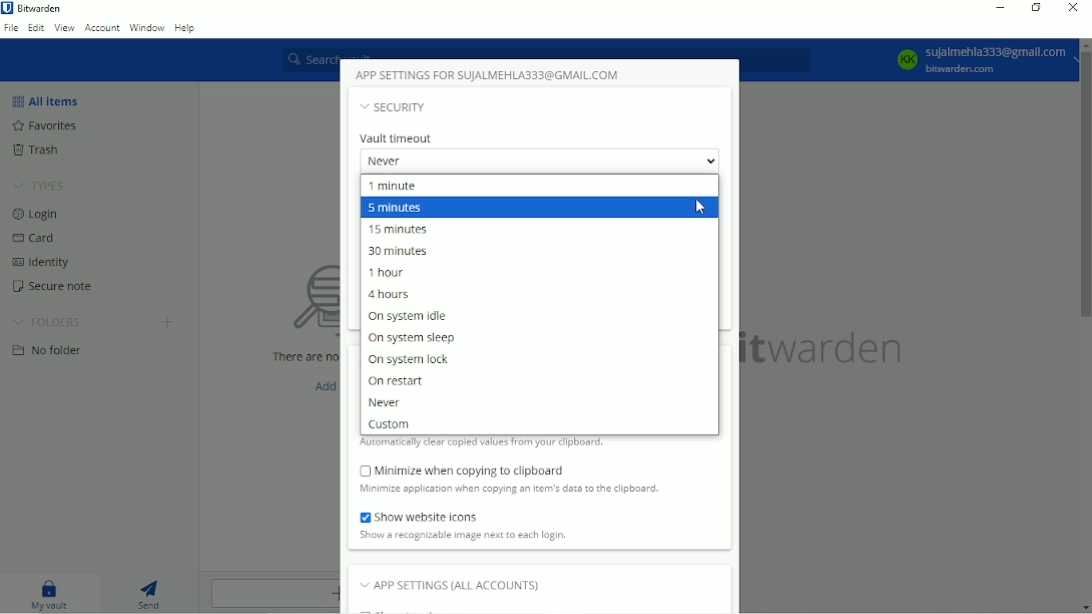  I want to click on Vault timeout, so click(399, 138).